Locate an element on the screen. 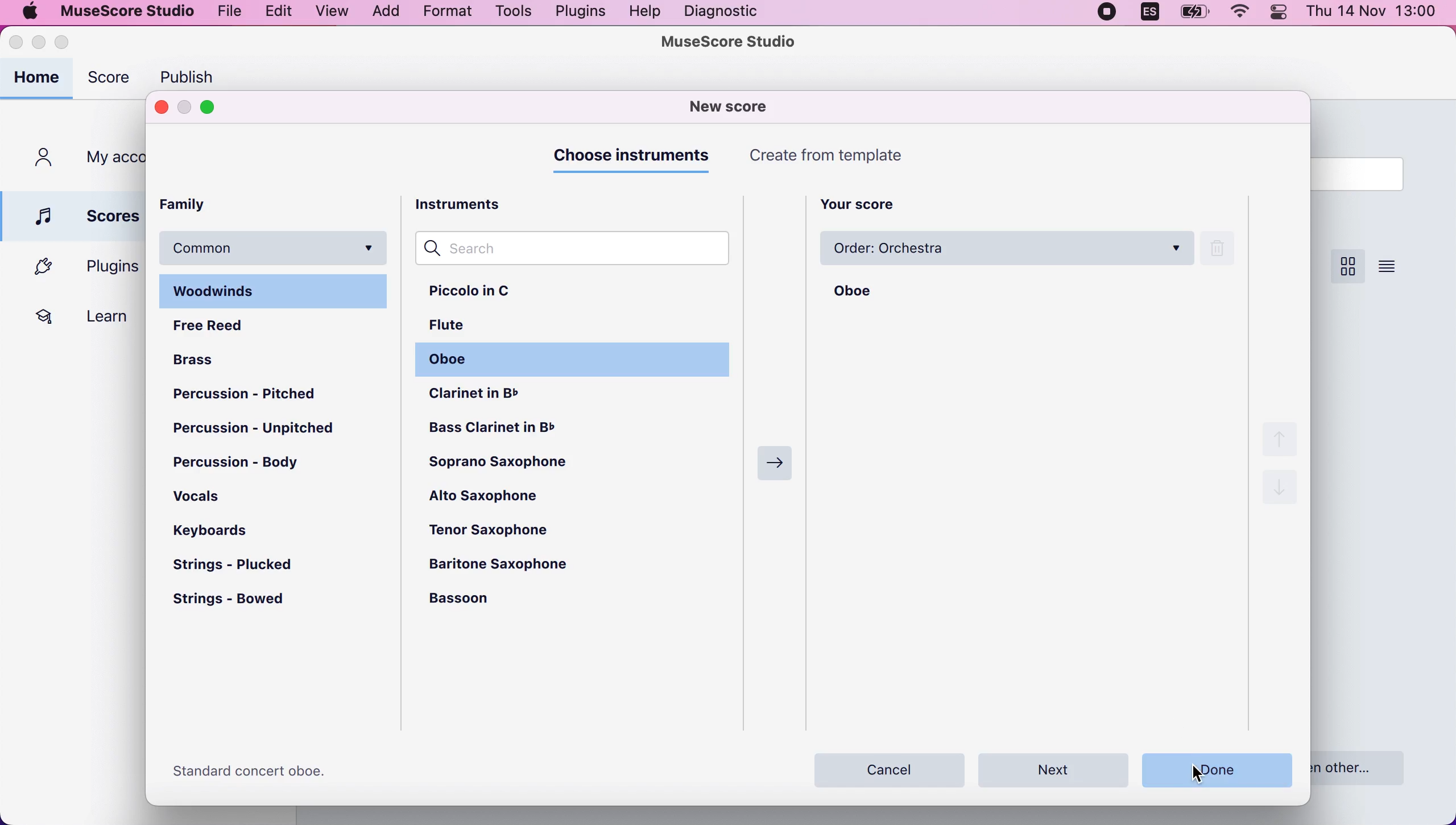  plugins is located at coordinates (578, 13).